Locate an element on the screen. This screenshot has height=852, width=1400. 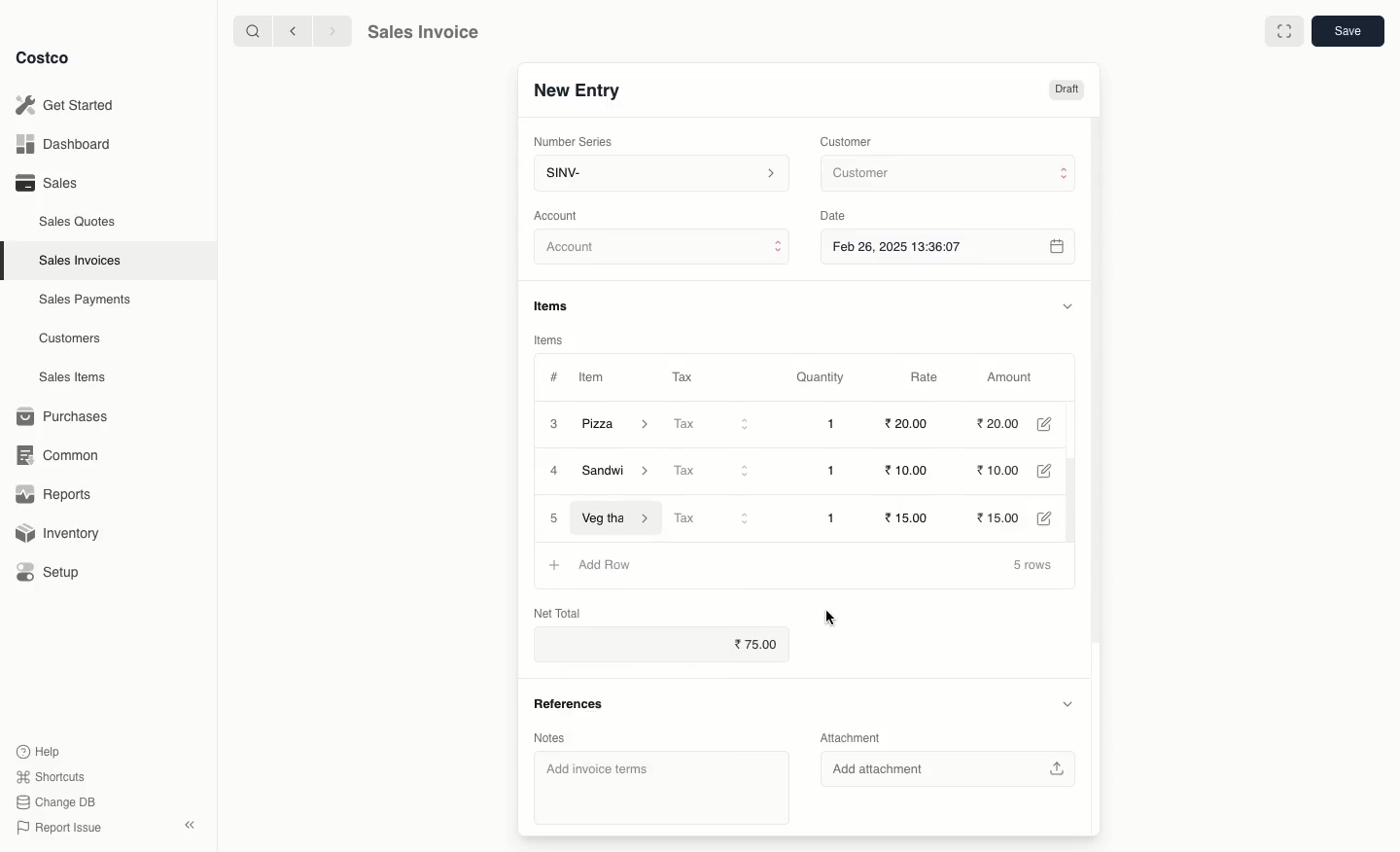
Tax is located at coordinates (682, 373).